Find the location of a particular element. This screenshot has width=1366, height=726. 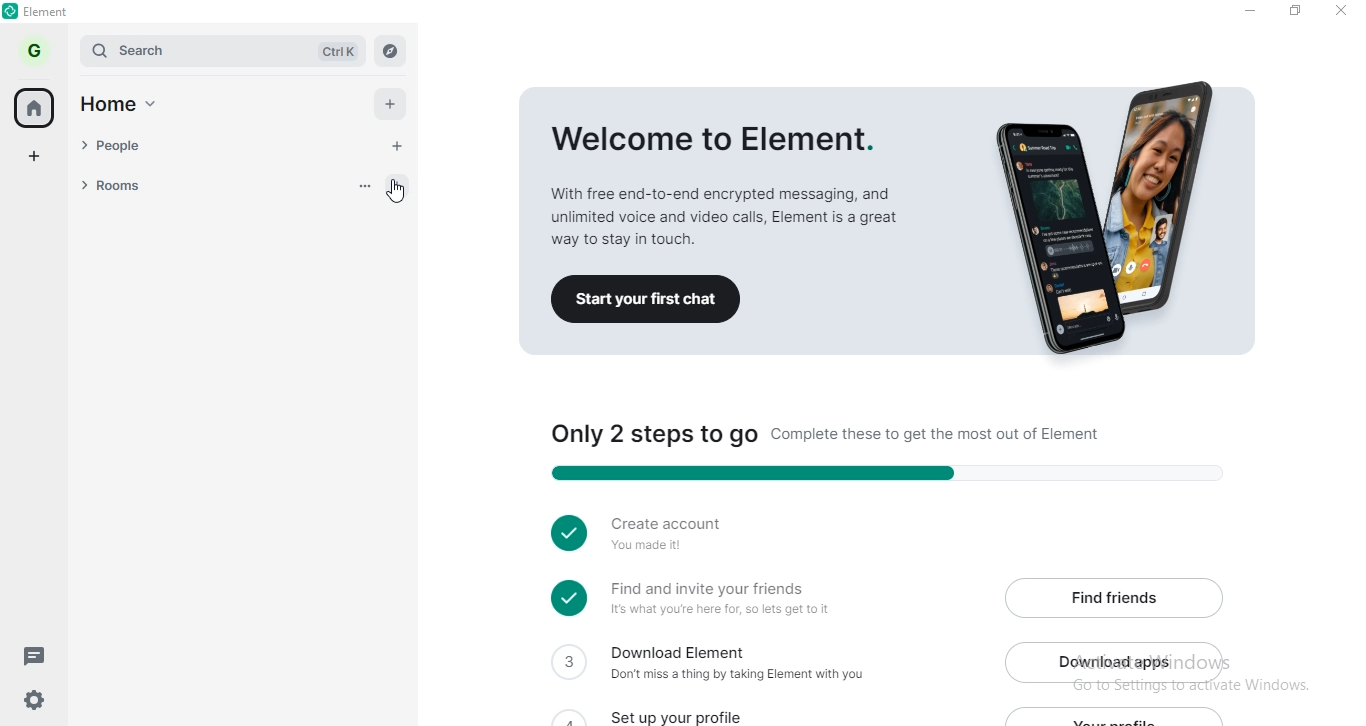

cursor is located at coordinates (400, 190).